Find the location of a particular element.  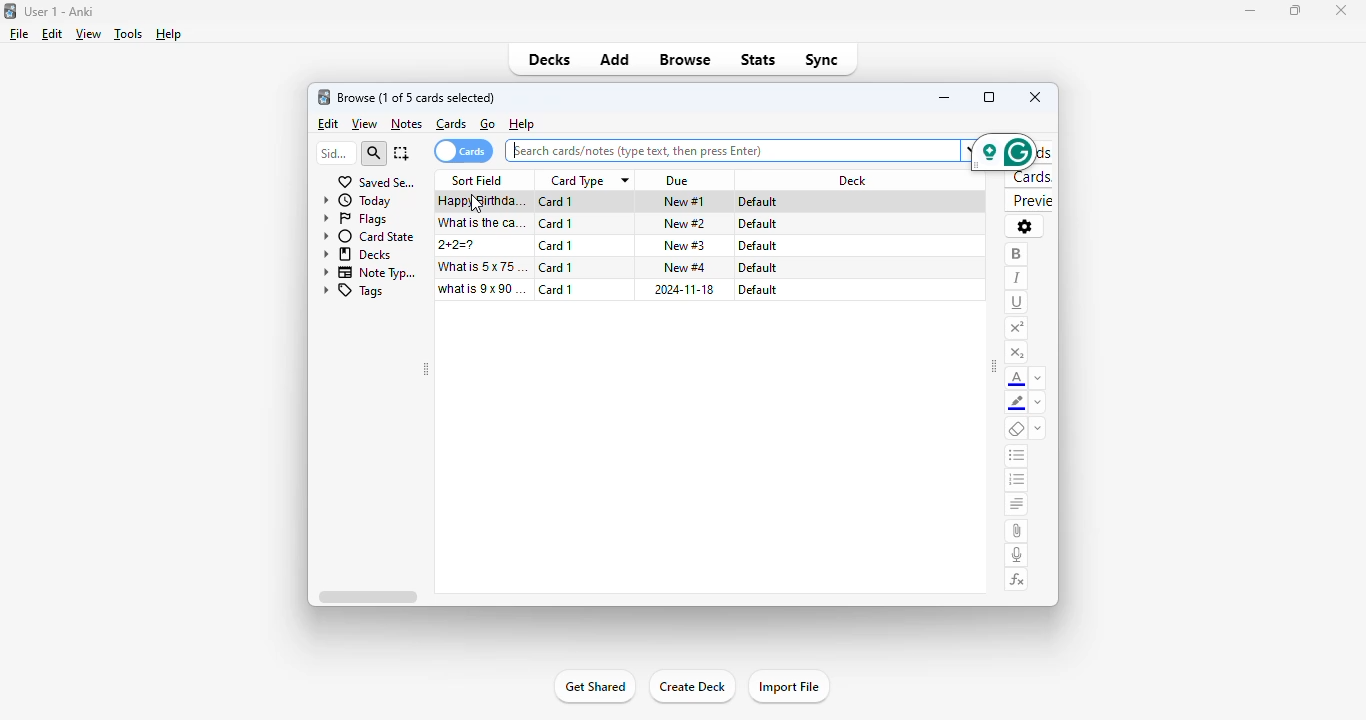

minimize is located at coordinates (946, 97).